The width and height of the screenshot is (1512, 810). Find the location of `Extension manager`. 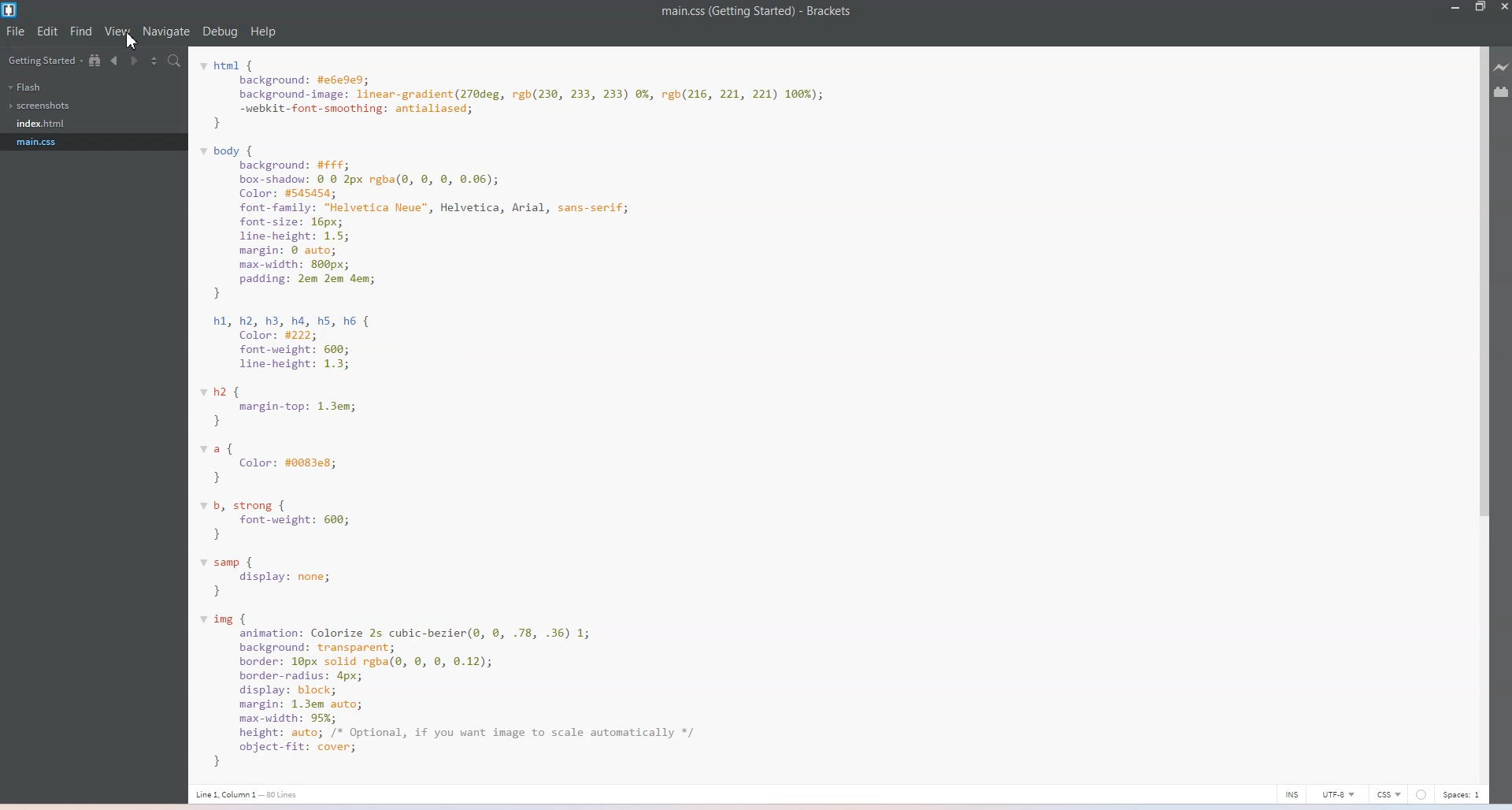

Extension manager is located at coordinates (1503, 91).